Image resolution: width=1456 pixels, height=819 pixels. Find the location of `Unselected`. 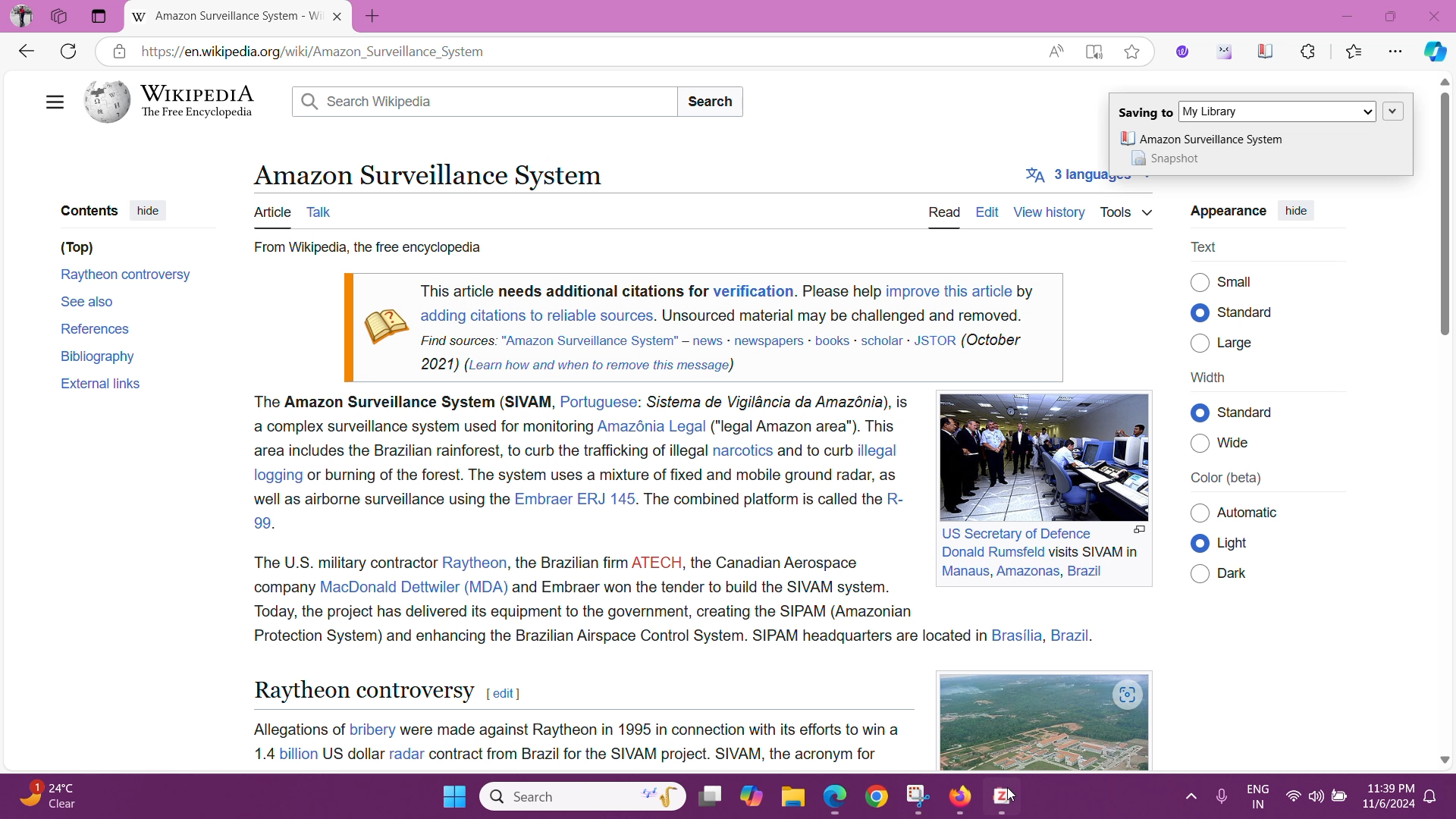

Unselected is located at coordinates (1200, 444).